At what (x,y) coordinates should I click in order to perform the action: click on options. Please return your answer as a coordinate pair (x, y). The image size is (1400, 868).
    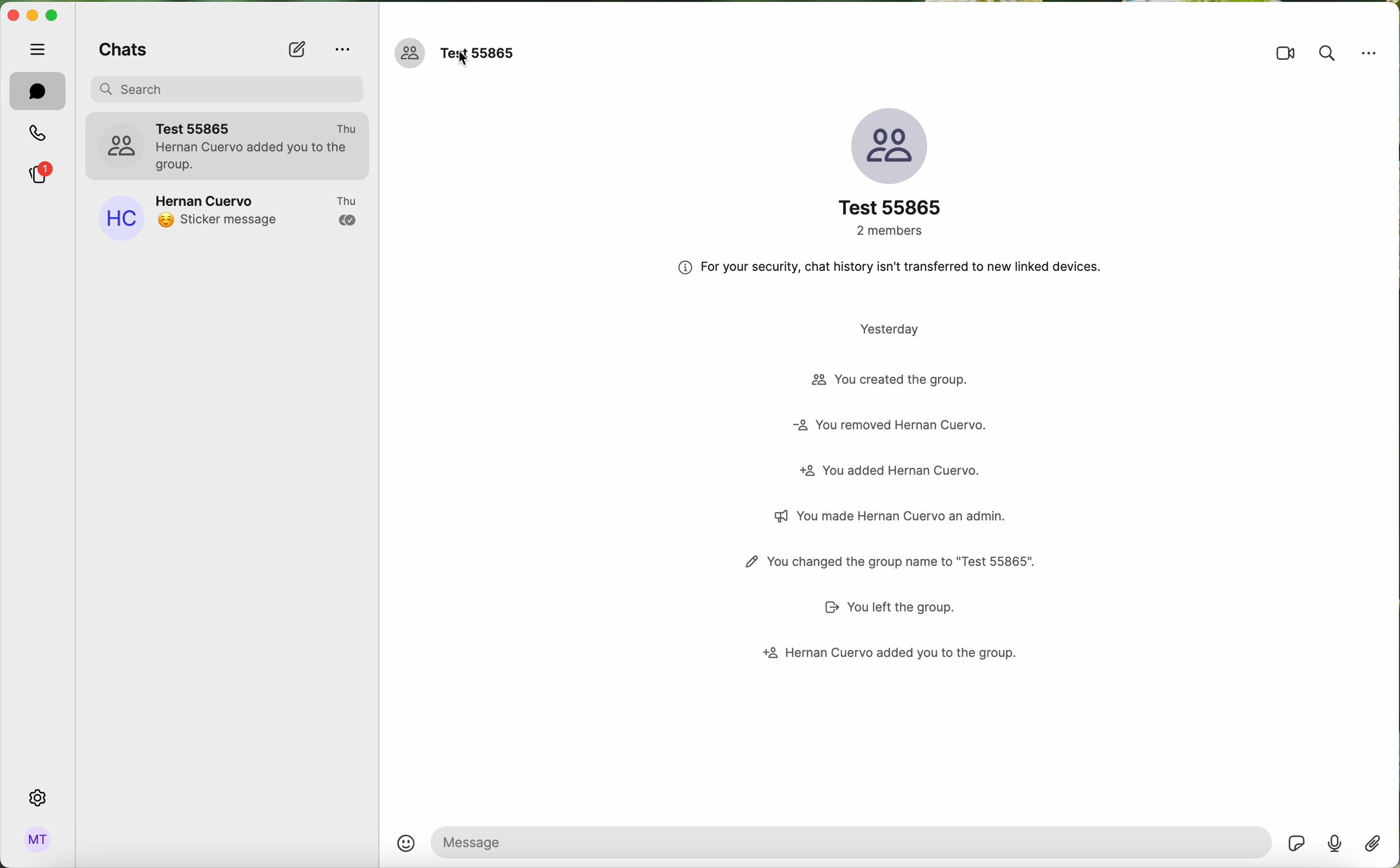
    Looking at the image, I should click on (341, 51).